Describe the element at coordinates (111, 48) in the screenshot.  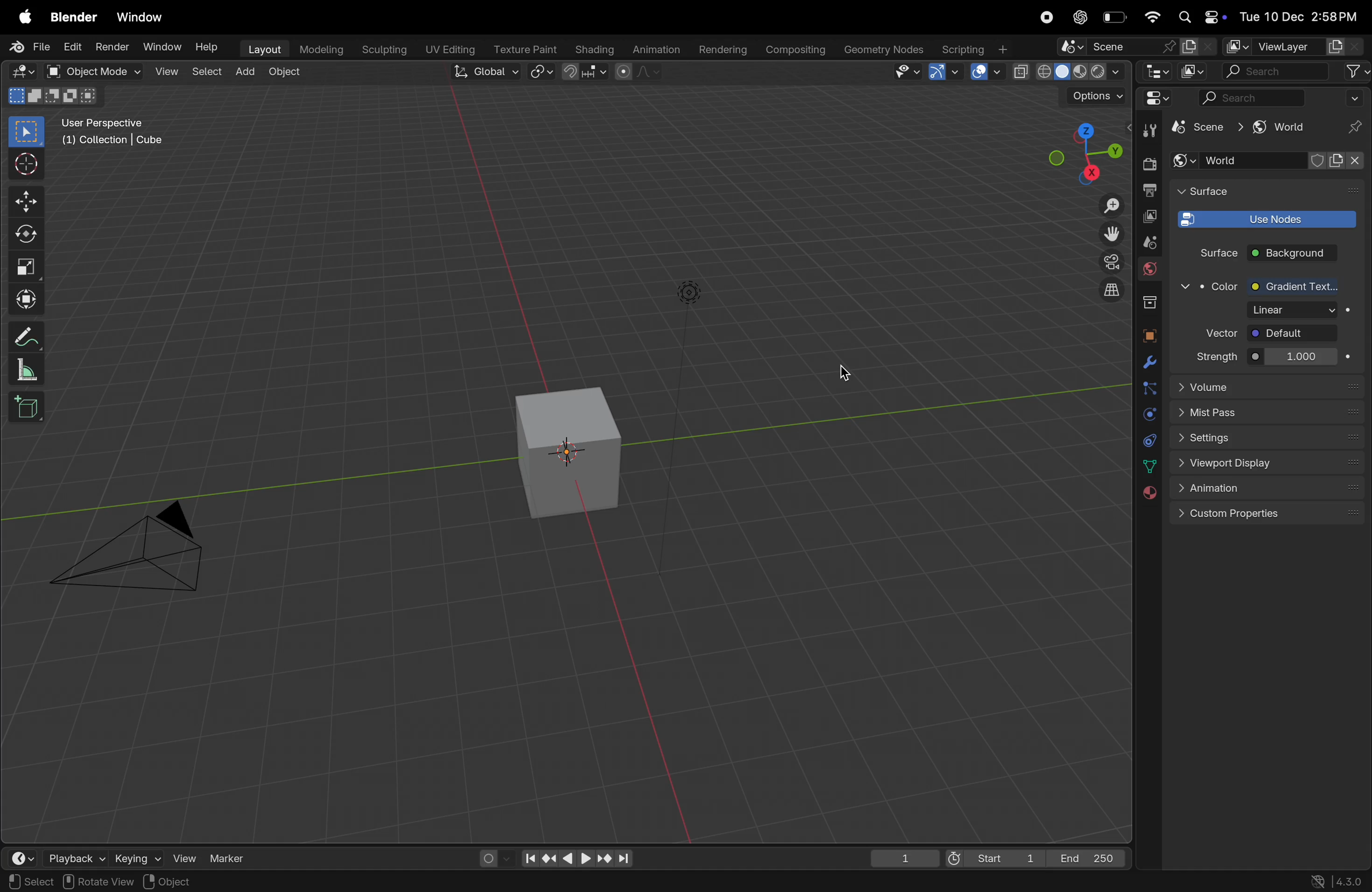
I see `Render` at that location.